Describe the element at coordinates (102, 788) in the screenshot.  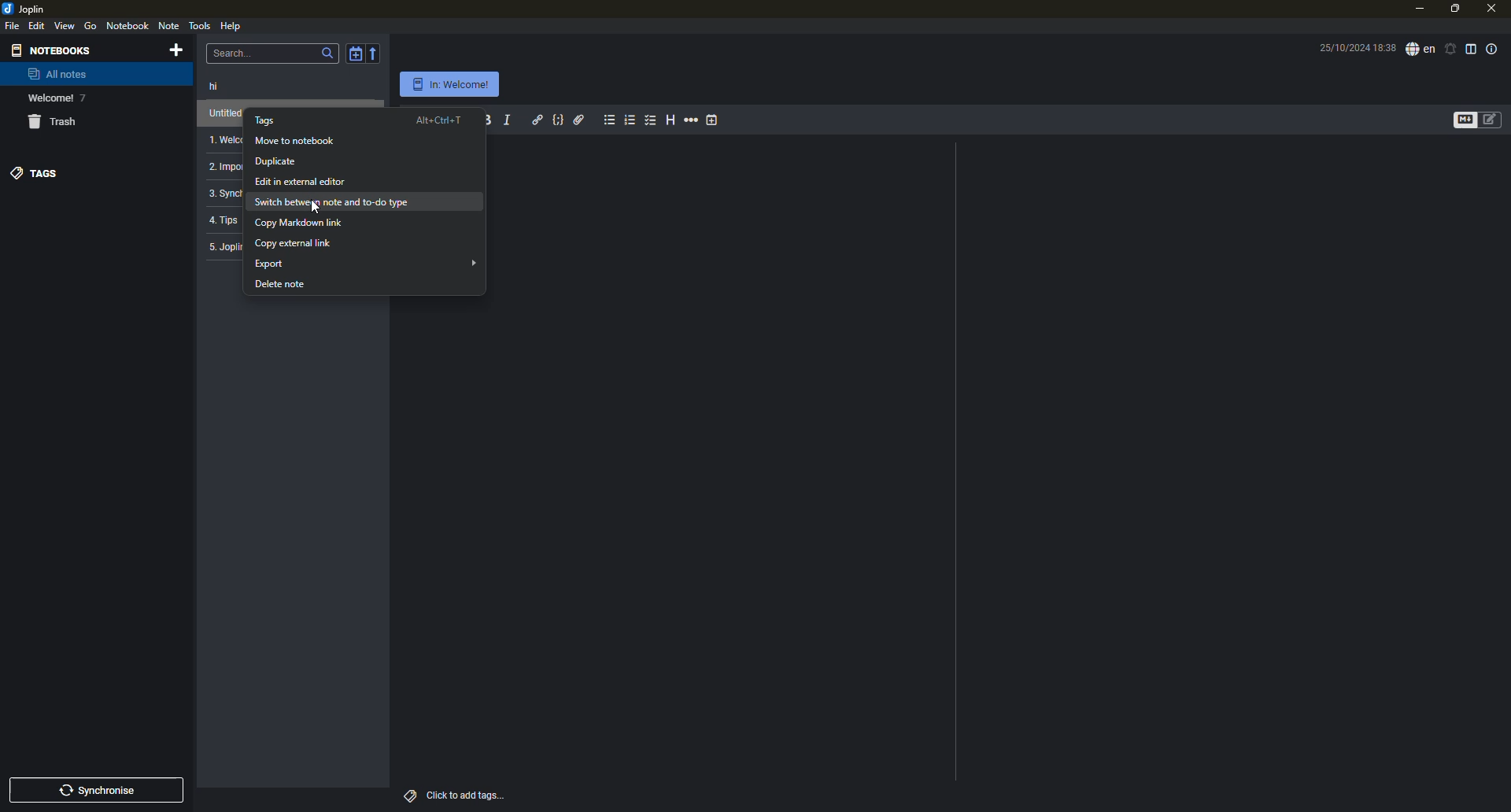
I see `synchronise` at that location.